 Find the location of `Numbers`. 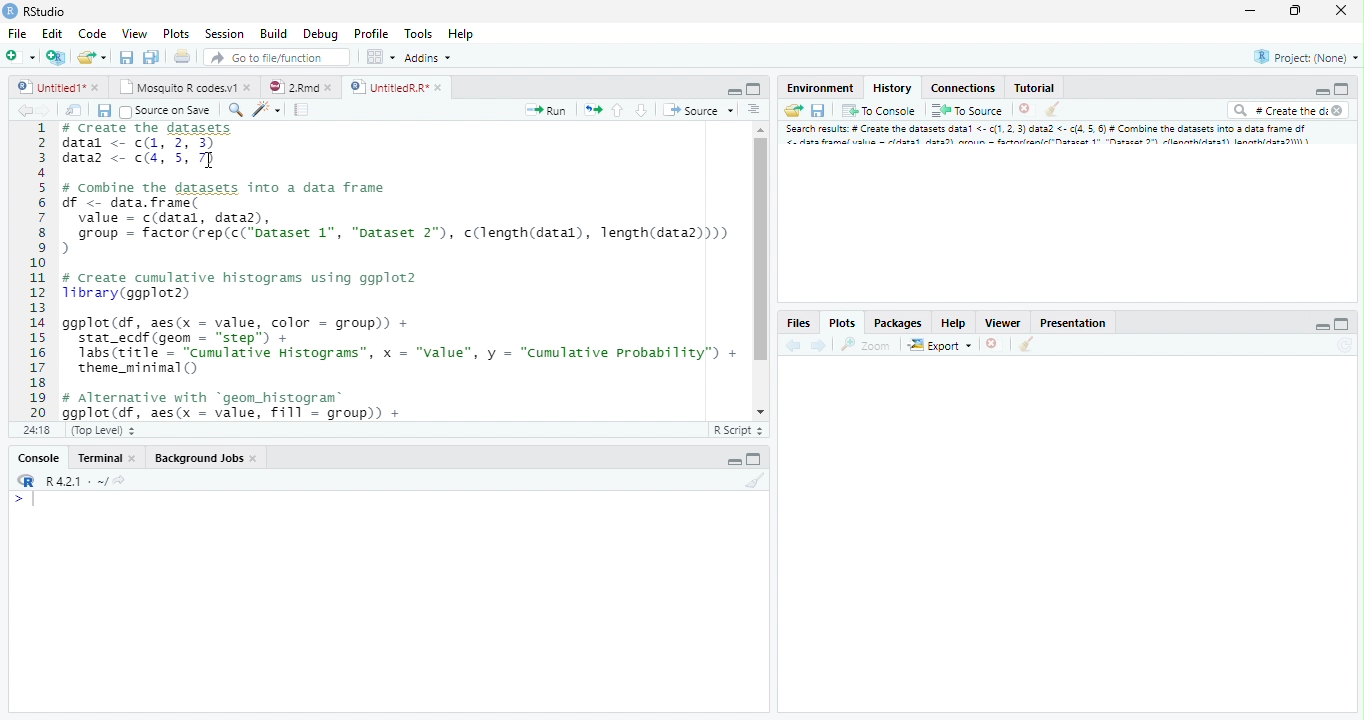

Numbers is located at coordinates (40, 269).